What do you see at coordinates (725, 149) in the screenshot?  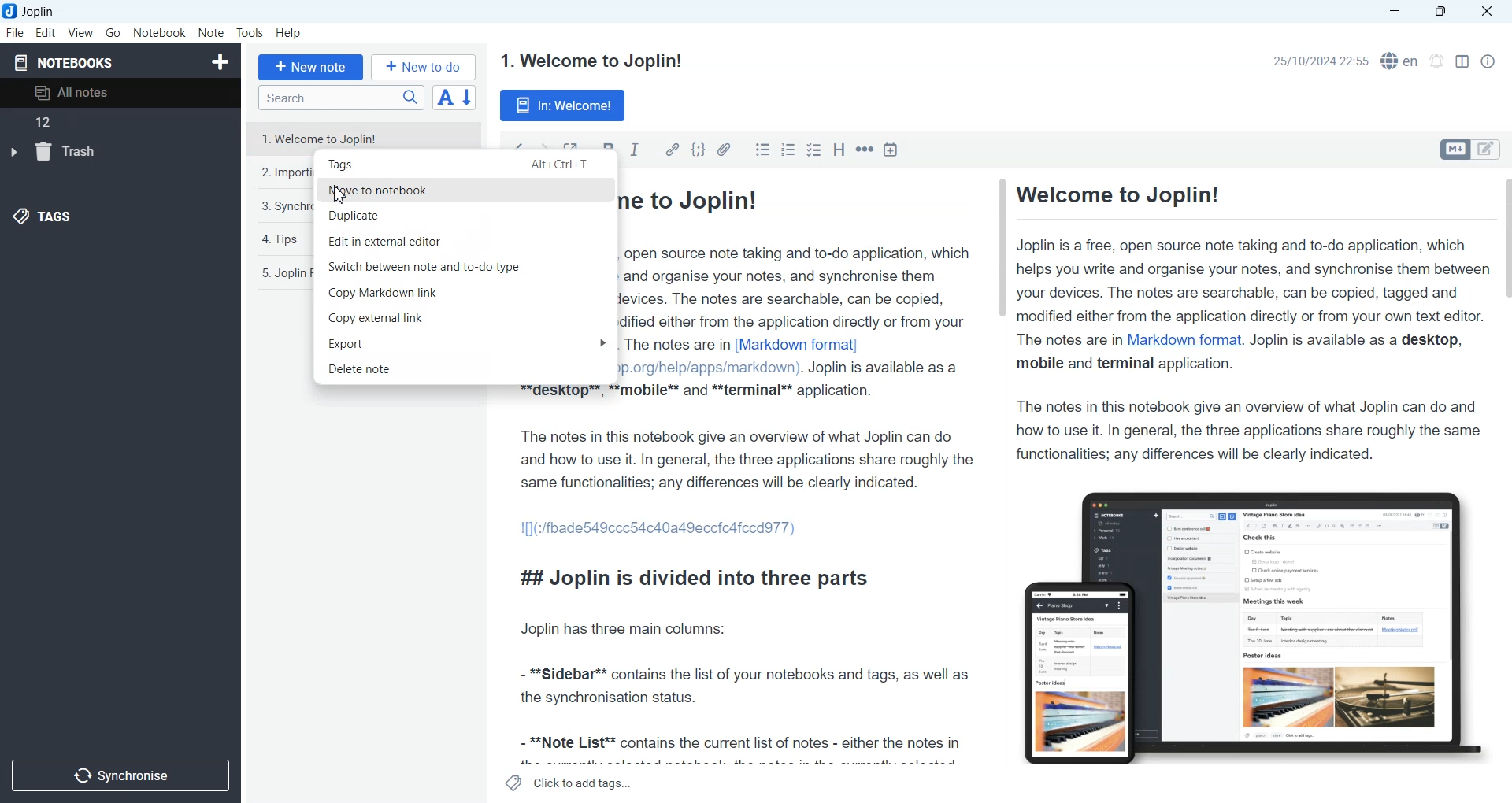 I see `Attach file` at bounding box center [725, 149].